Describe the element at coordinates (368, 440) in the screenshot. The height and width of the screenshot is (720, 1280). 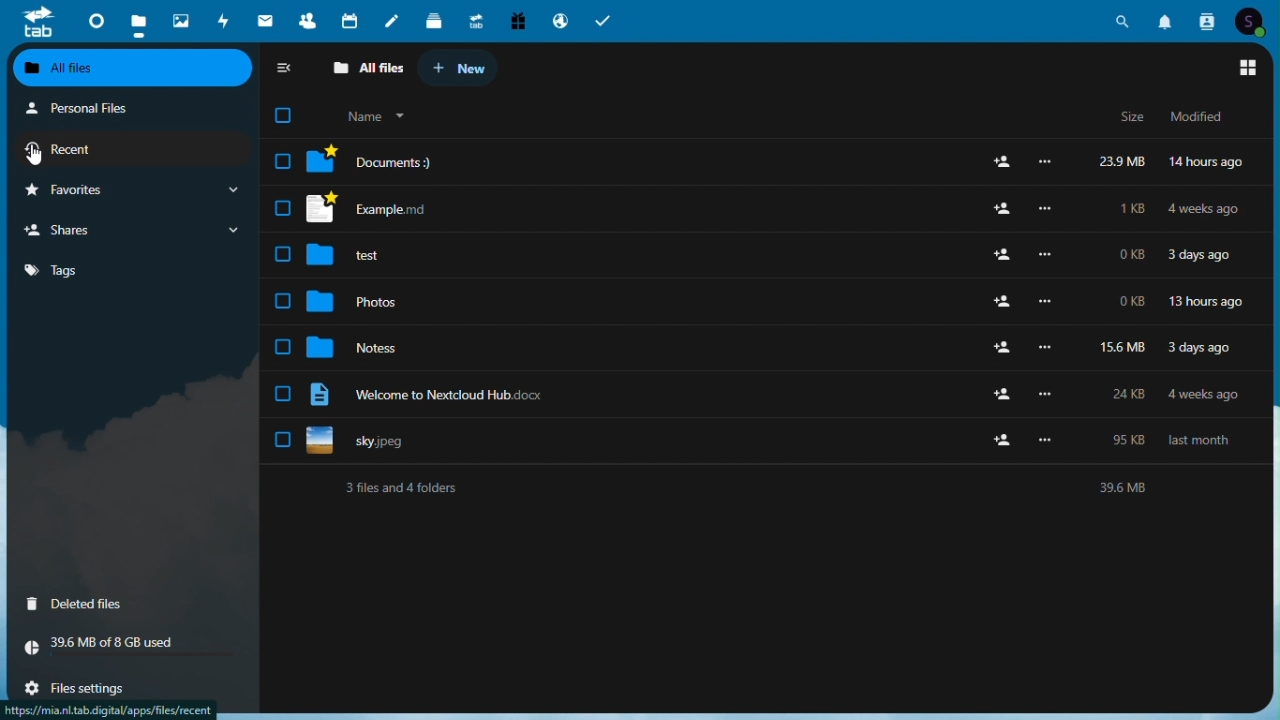
I see `sky.jpeg` at that location.